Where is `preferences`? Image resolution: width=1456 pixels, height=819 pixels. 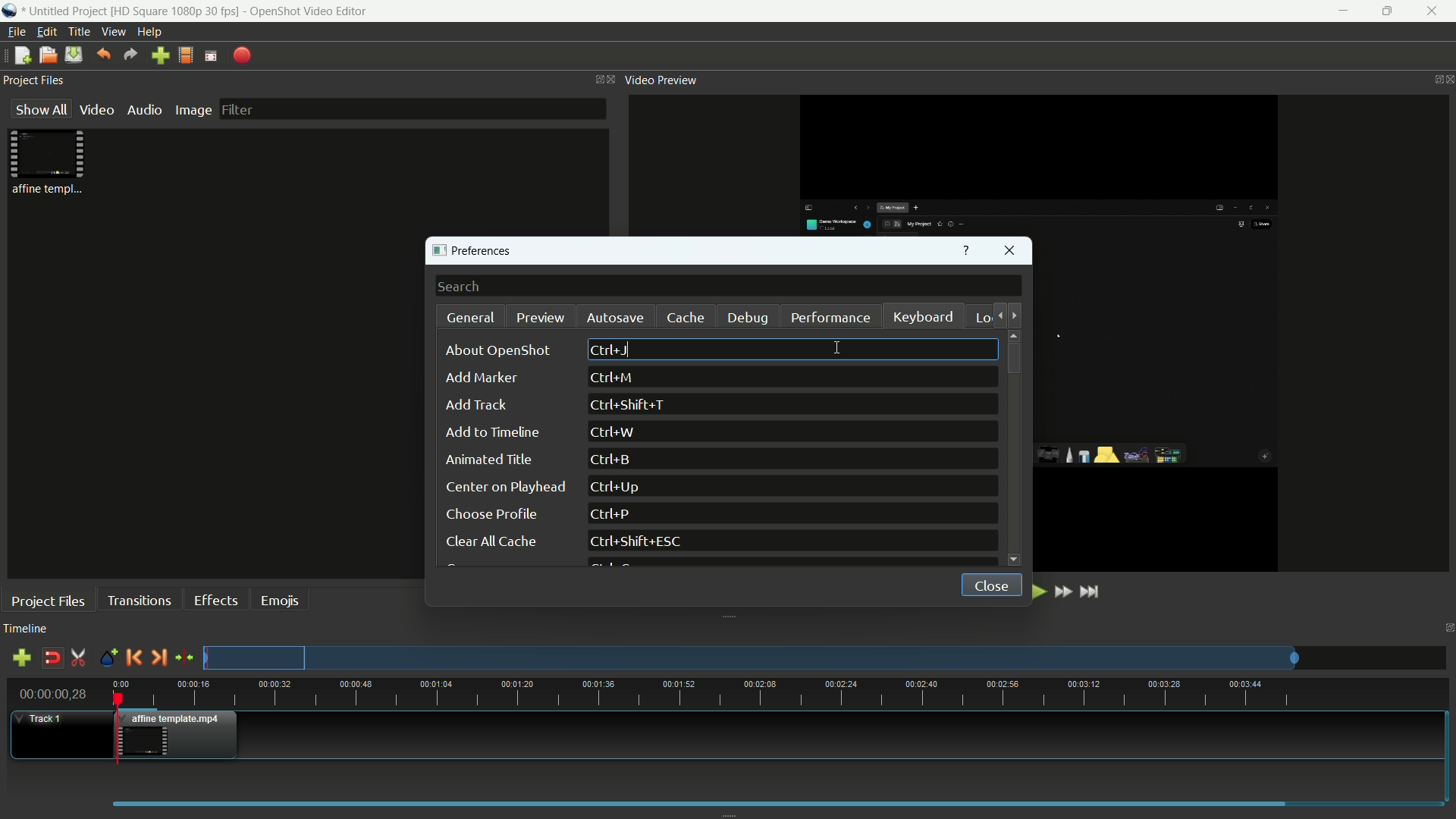
preferences is located at coordinates (477, 252).